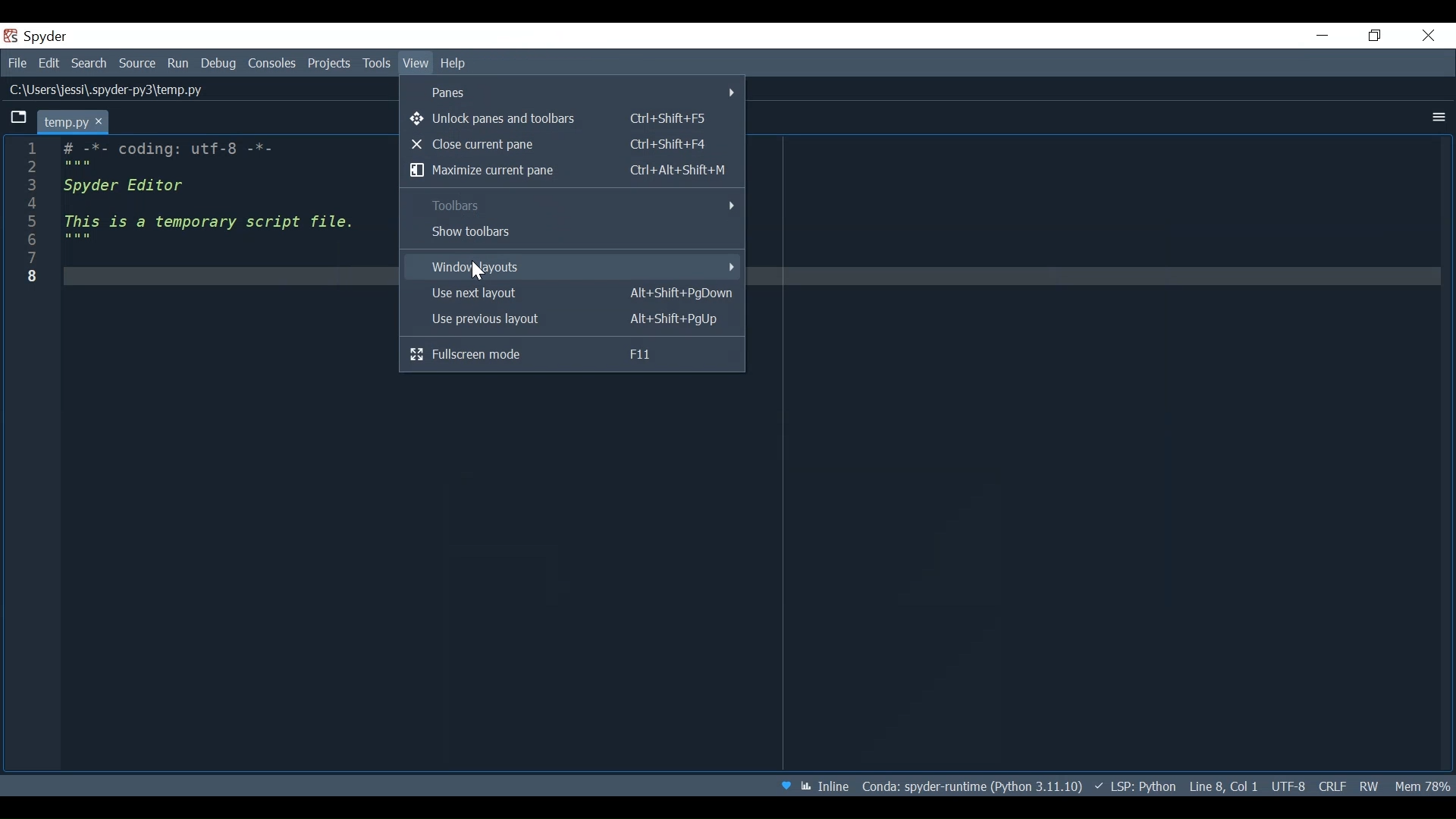 This screenshot has width=1456, height=819. I want to click on Tools, so click(376, 64).